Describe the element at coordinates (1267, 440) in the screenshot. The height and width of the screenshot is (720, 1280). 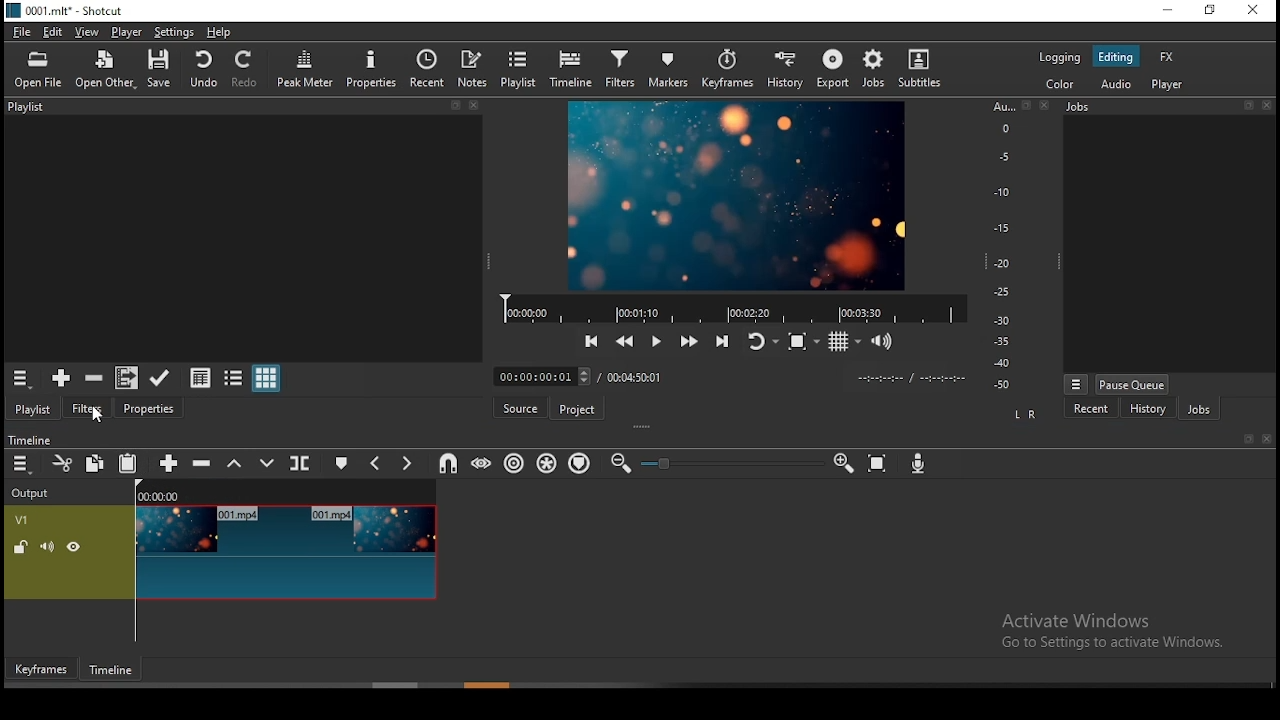
I see `close` at that location.